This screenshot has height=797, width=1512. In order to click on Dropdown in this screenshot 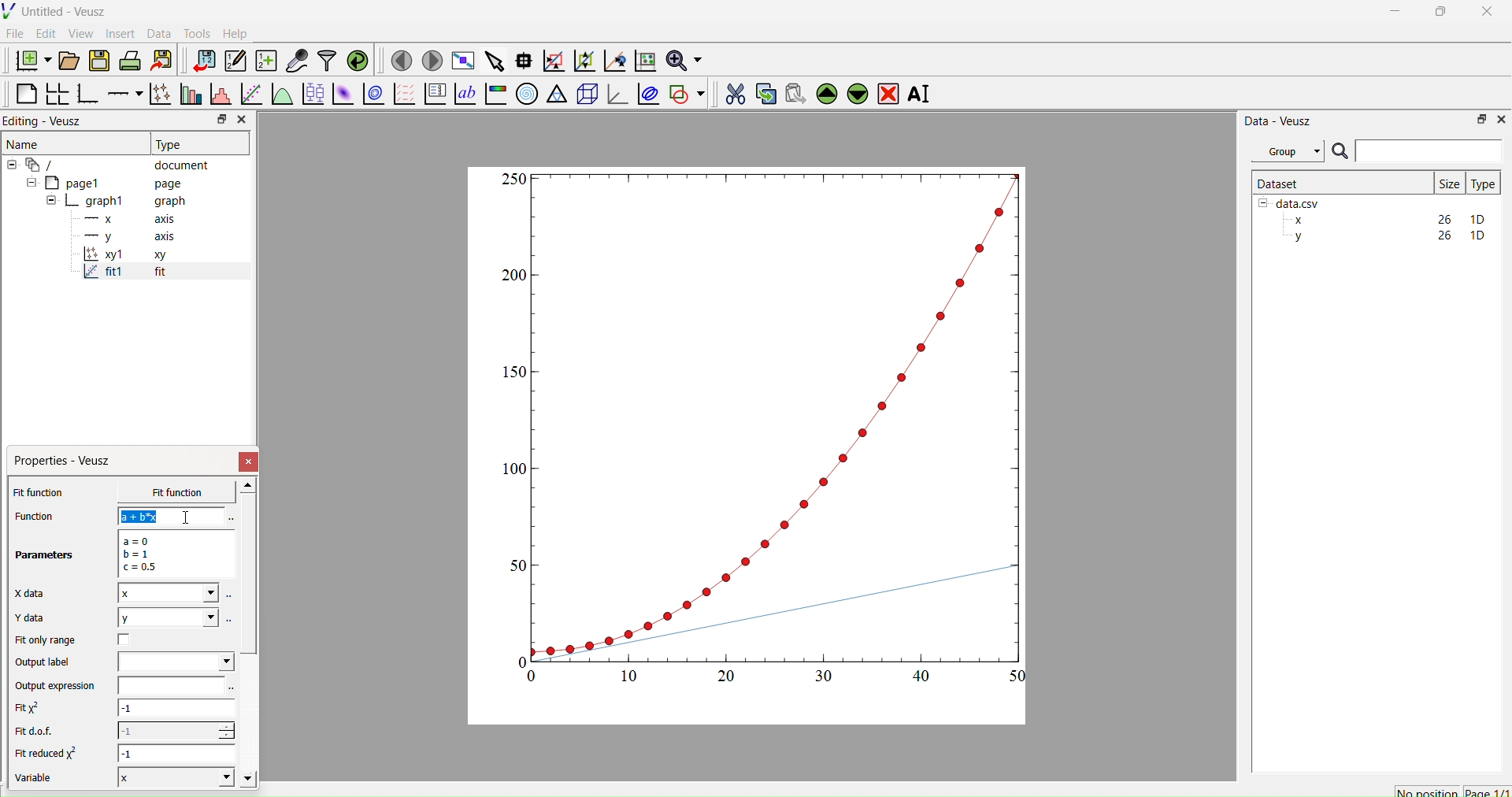, I will do `click(176, 662)`.